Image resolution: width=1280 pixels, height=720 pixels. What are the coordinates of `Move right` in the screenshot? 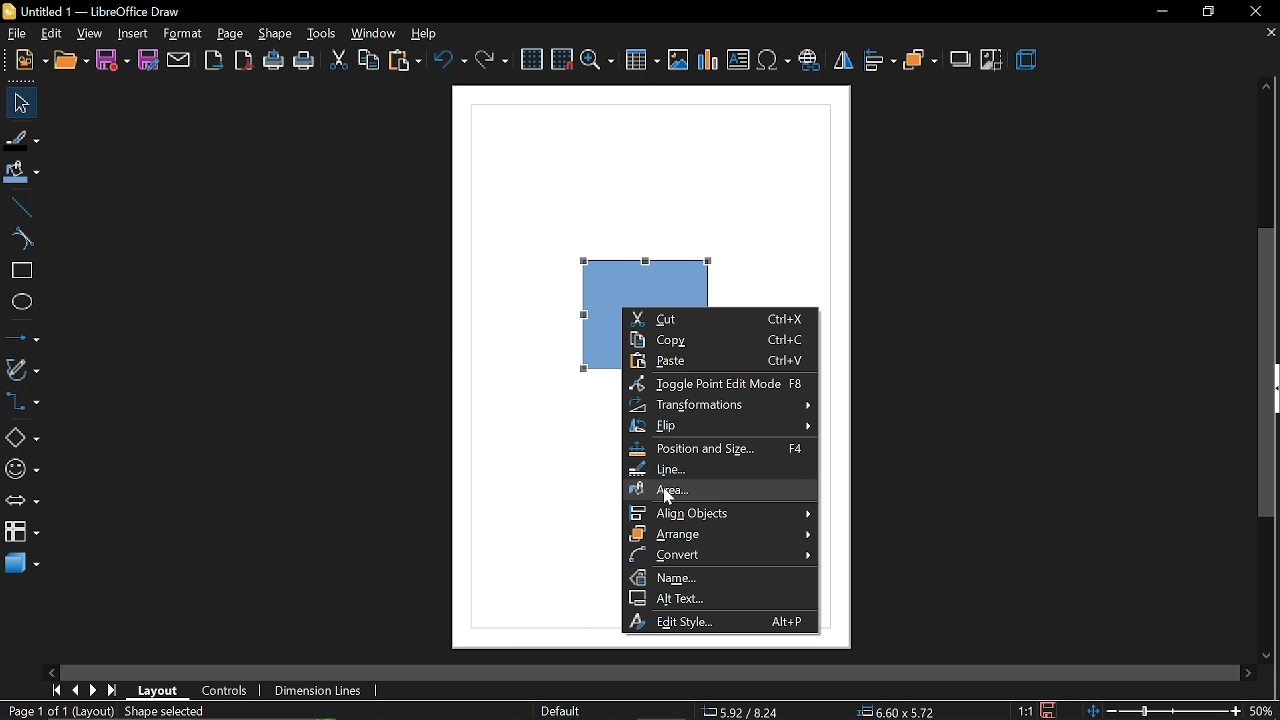 It's located at (1249, 673).